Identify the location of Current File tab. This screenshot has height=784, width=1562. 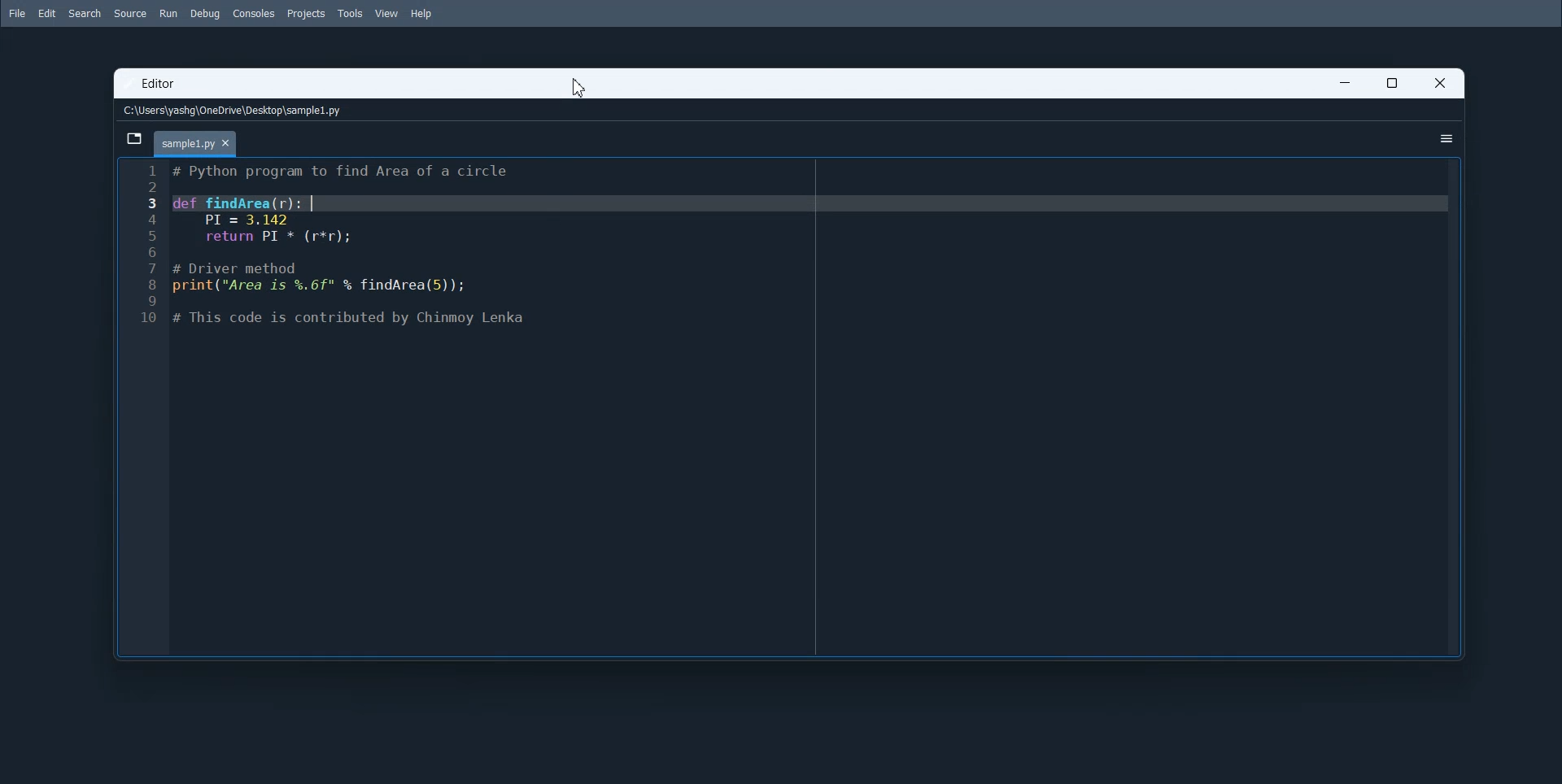
(196, 144).